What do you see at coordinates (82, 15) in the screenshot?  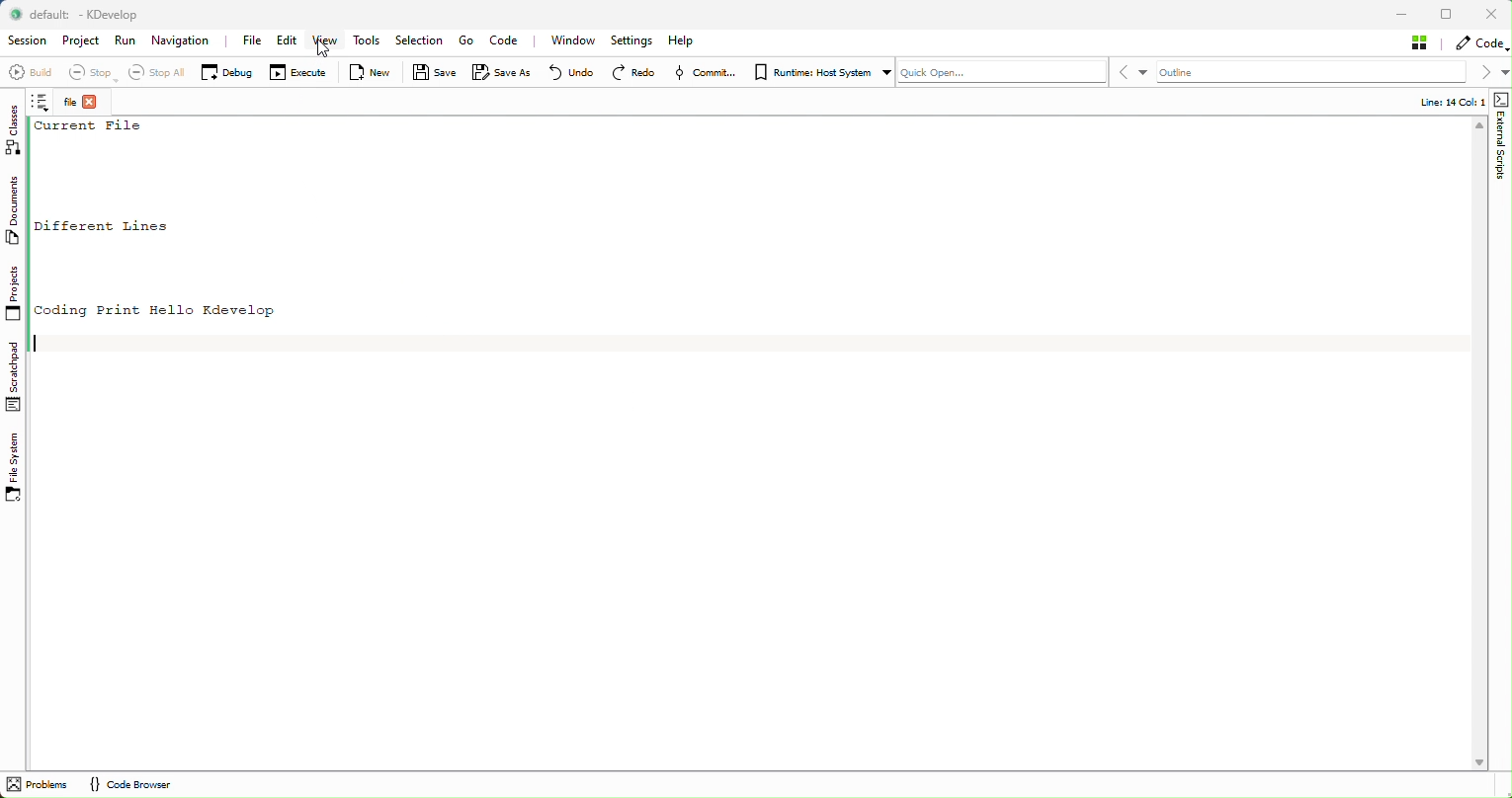 I see `default KDevelop` at bounding box center [82, 15].